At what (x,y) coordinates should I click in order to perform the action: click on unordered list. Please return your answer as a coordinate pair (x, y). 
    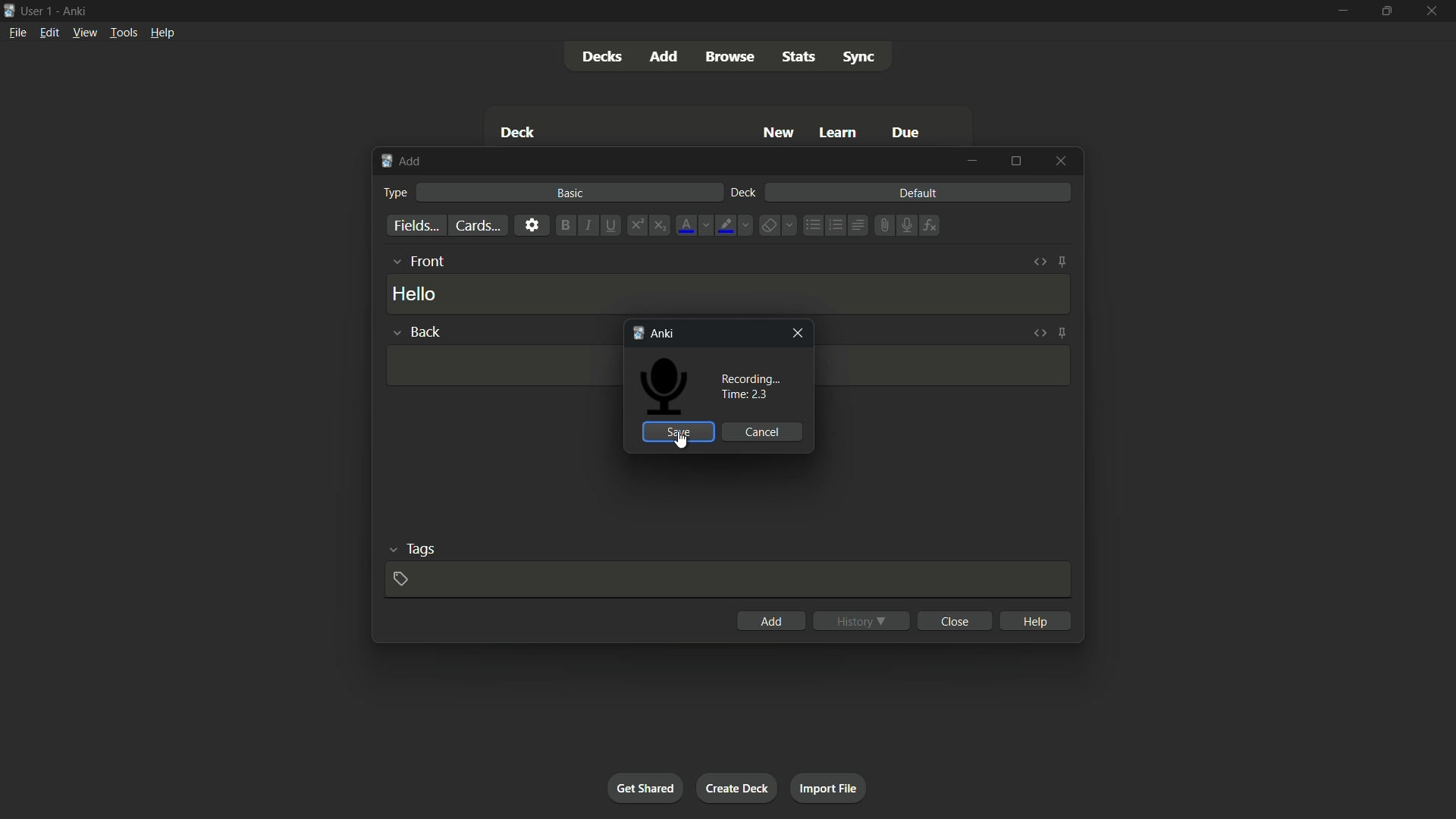
    Looking at the image, I should click on (813, 226).